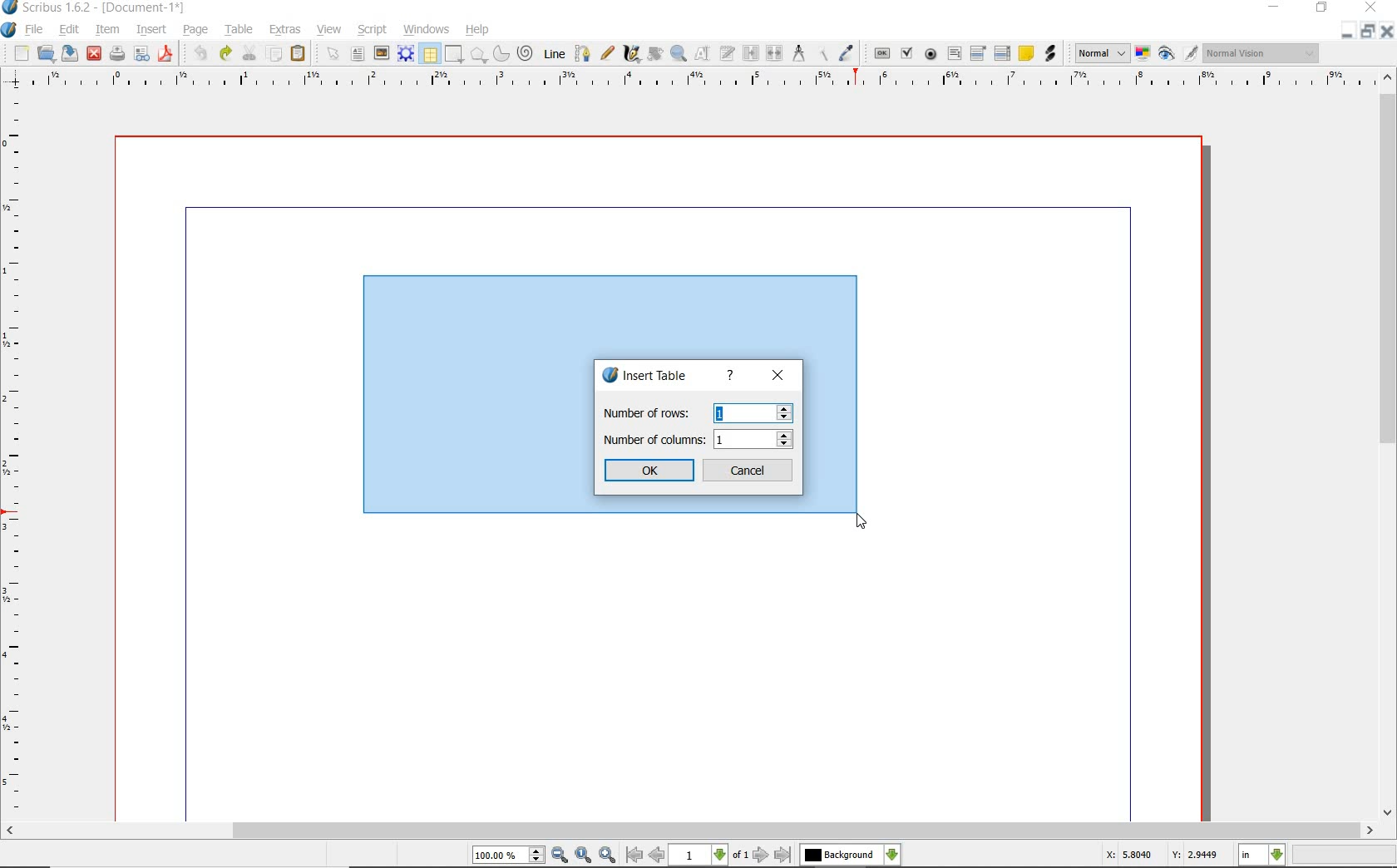  What do you see at coordinates (650, 471) in the screenshot?
I see `ok` at bounding box center [650, 471].